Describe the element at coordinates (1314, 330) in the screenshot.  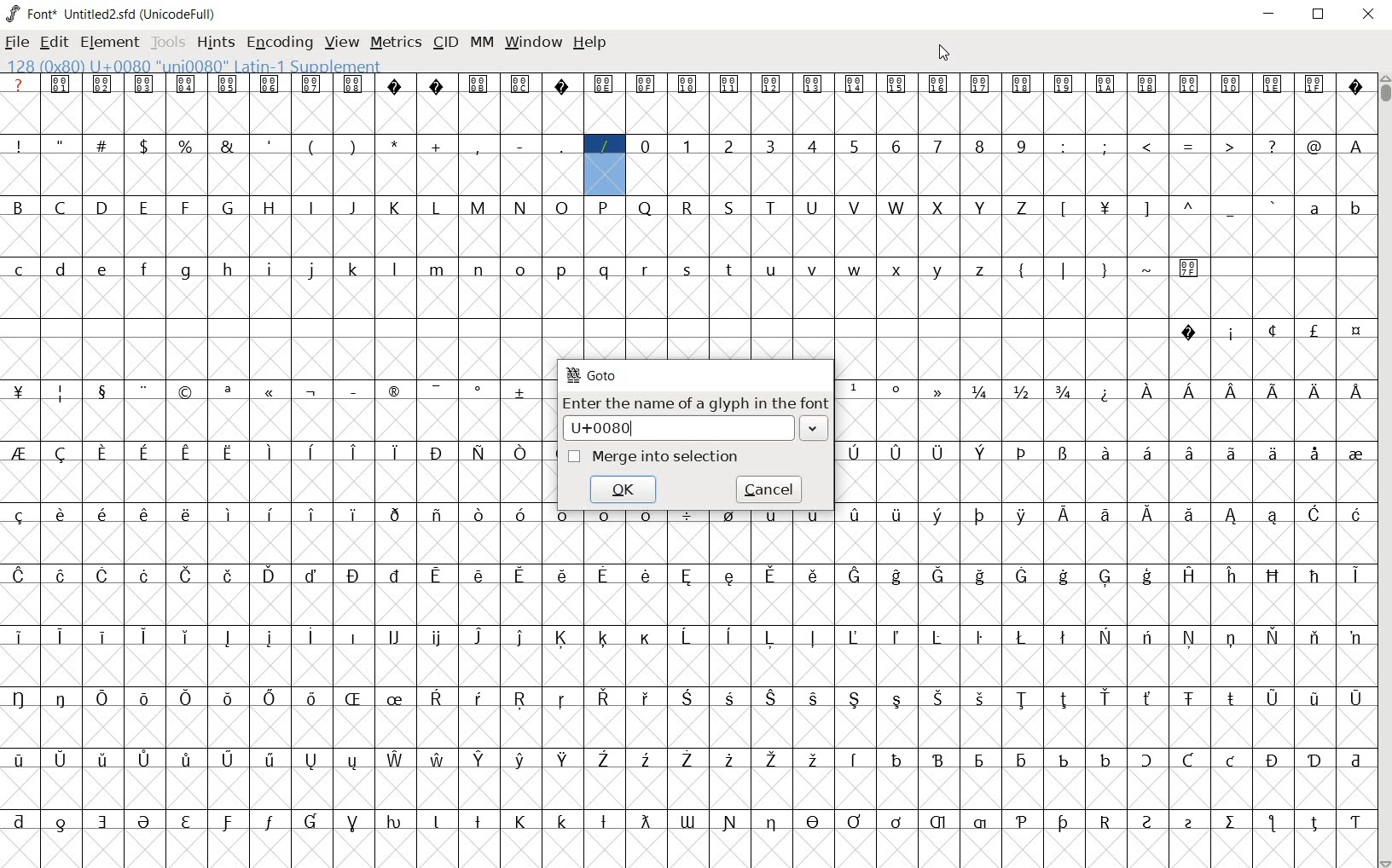
I see `glyph` at that location.